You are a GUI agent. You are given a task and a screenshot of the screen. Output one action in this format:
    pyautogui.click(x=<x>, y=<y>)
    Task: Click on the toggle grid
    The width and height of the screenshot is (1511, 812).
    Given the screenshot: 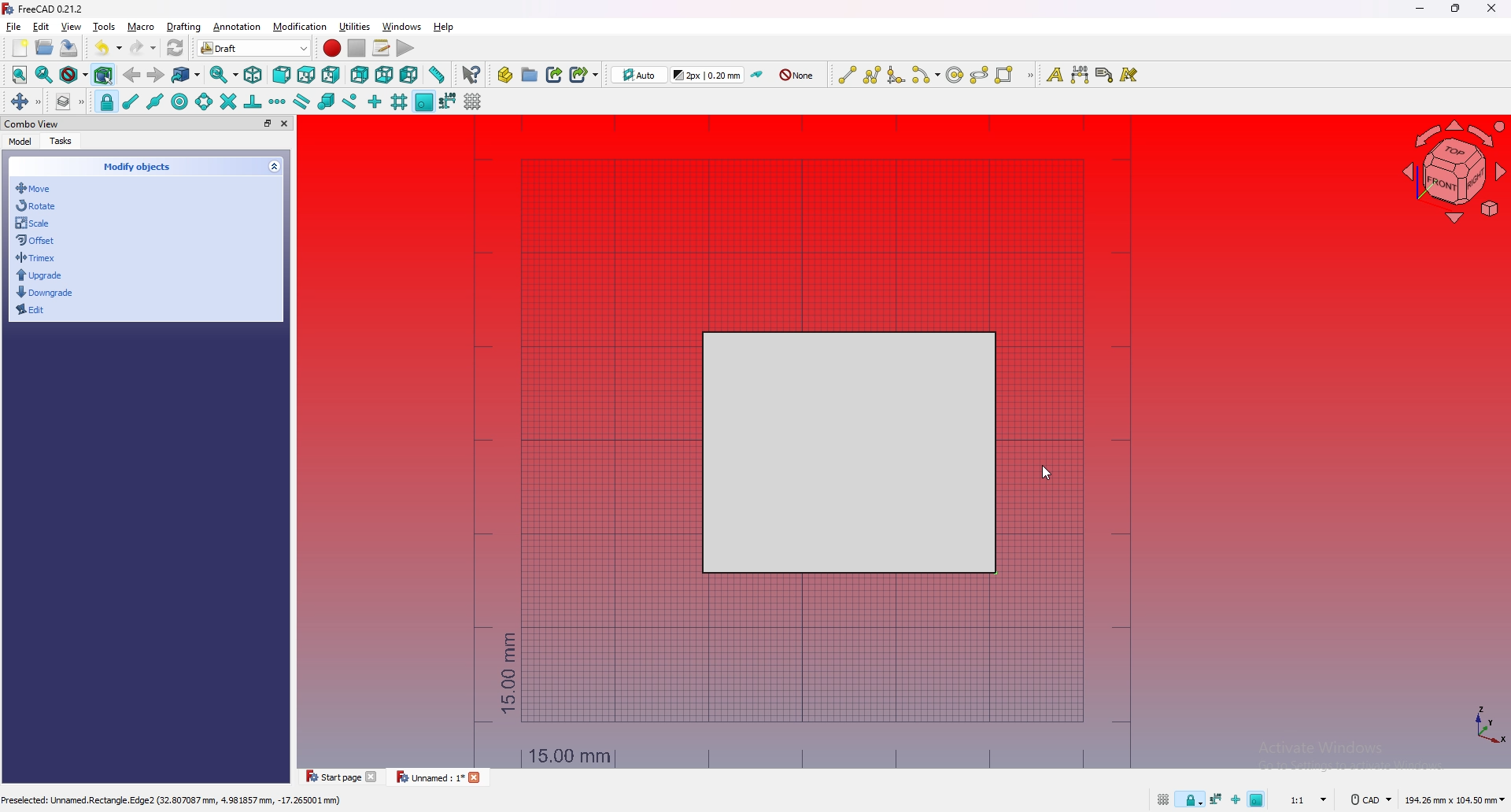 What is the action you would take?
    pyautogui.click(x=1162, y=800)
    